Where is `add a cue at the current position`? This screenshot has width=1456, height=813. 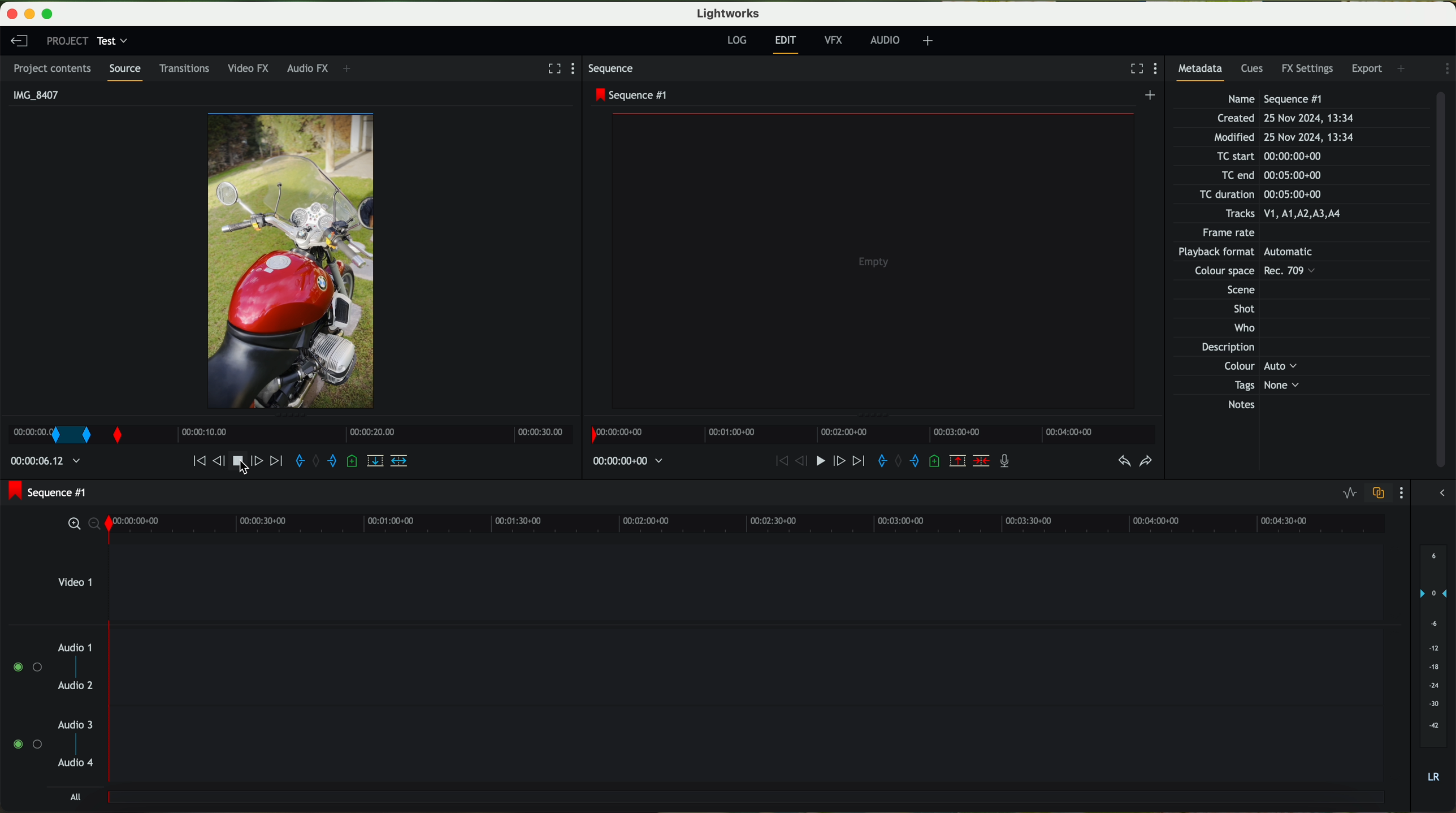 add a cue at the current position is located at coordinates (353, 462).